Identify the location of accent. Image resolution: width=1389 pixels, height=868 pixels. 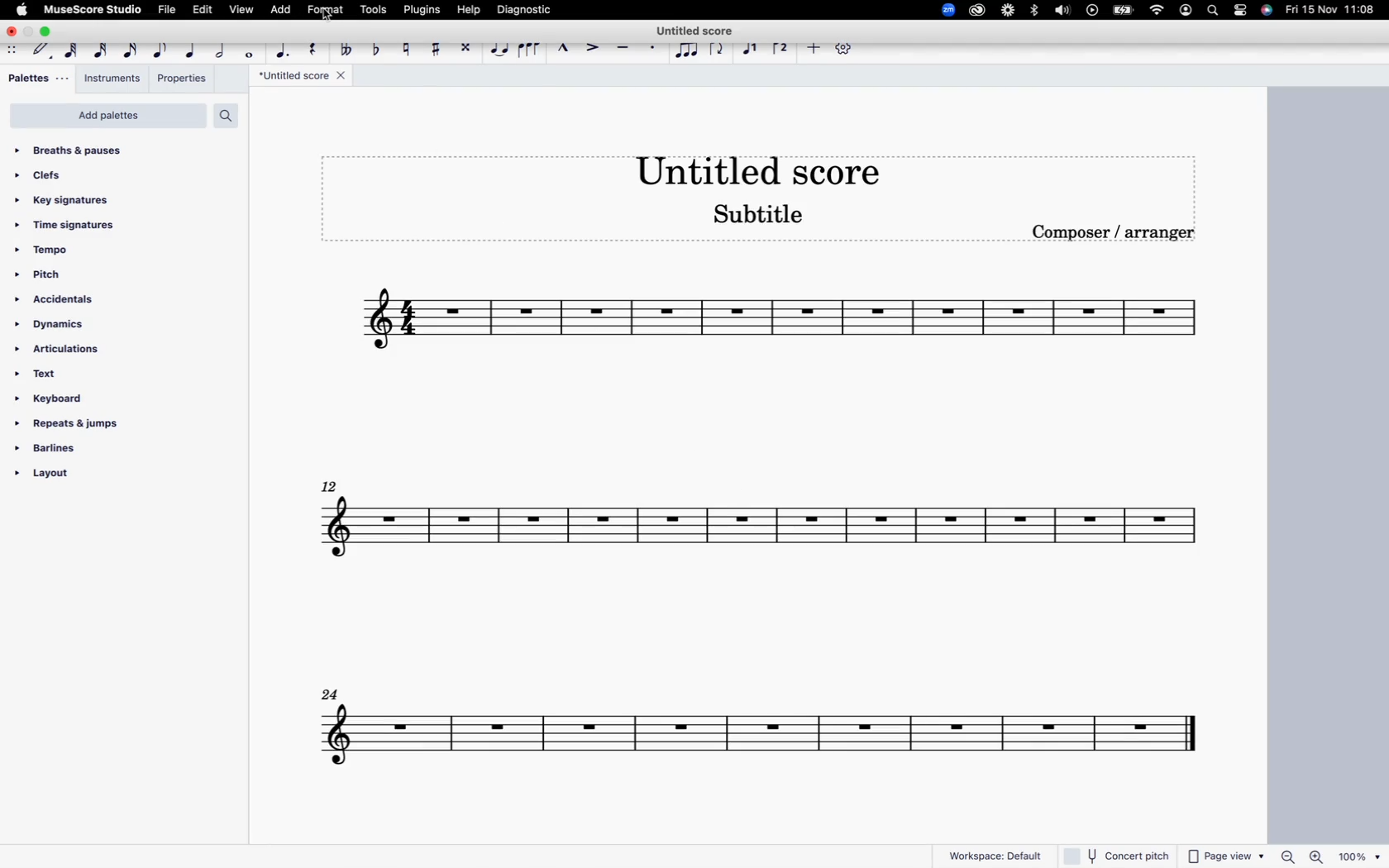
(592, 49).